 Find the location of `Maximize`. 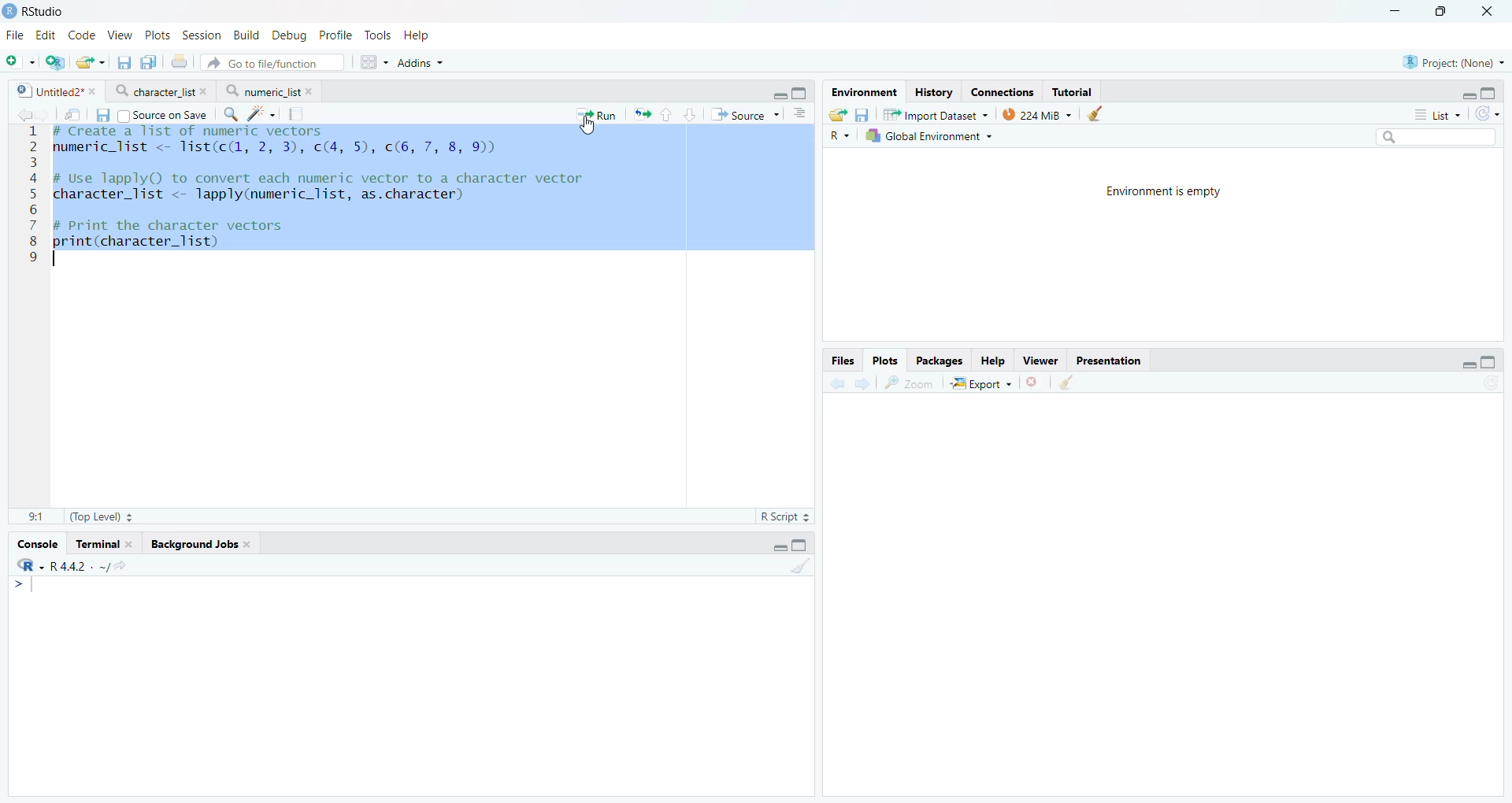

Maximize is located at coordinates (1448, 11).